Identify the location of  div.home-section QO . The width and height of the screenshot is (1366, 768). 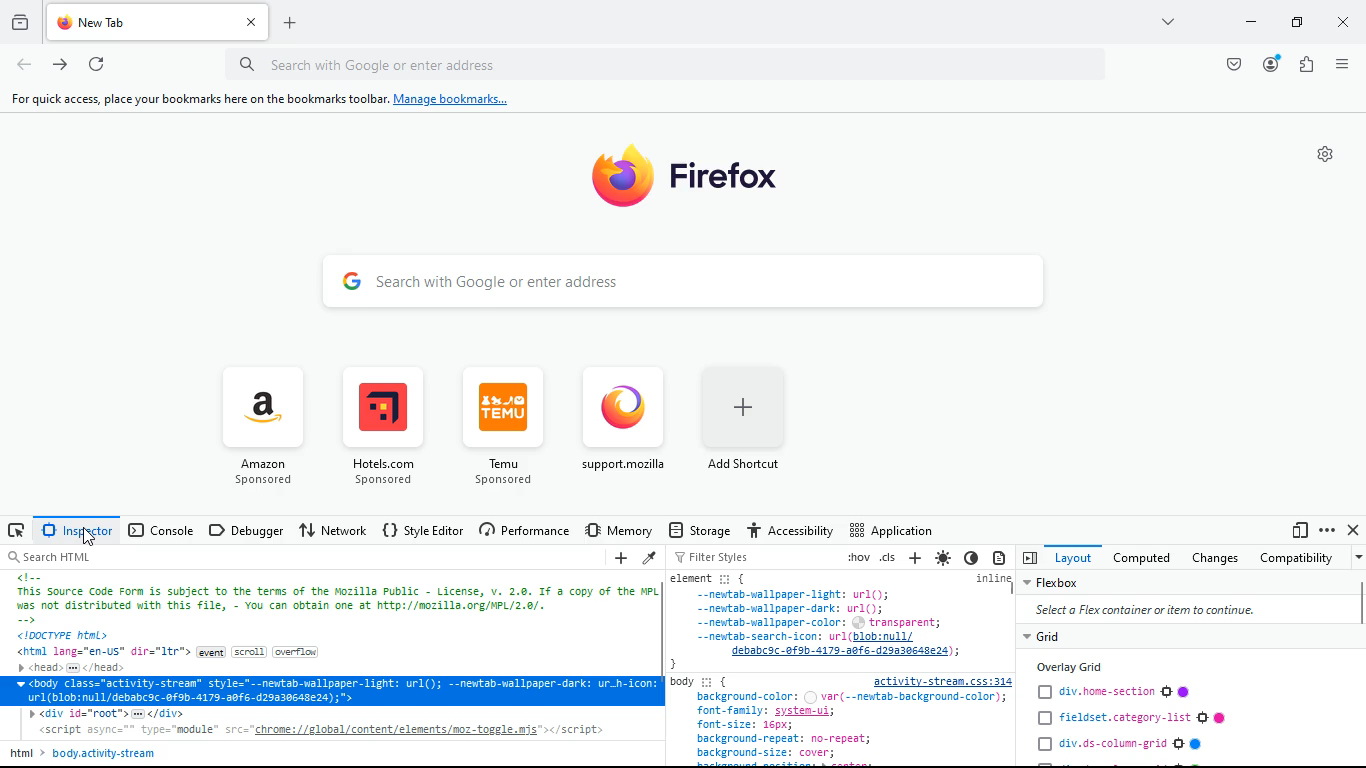
(1119, 691).